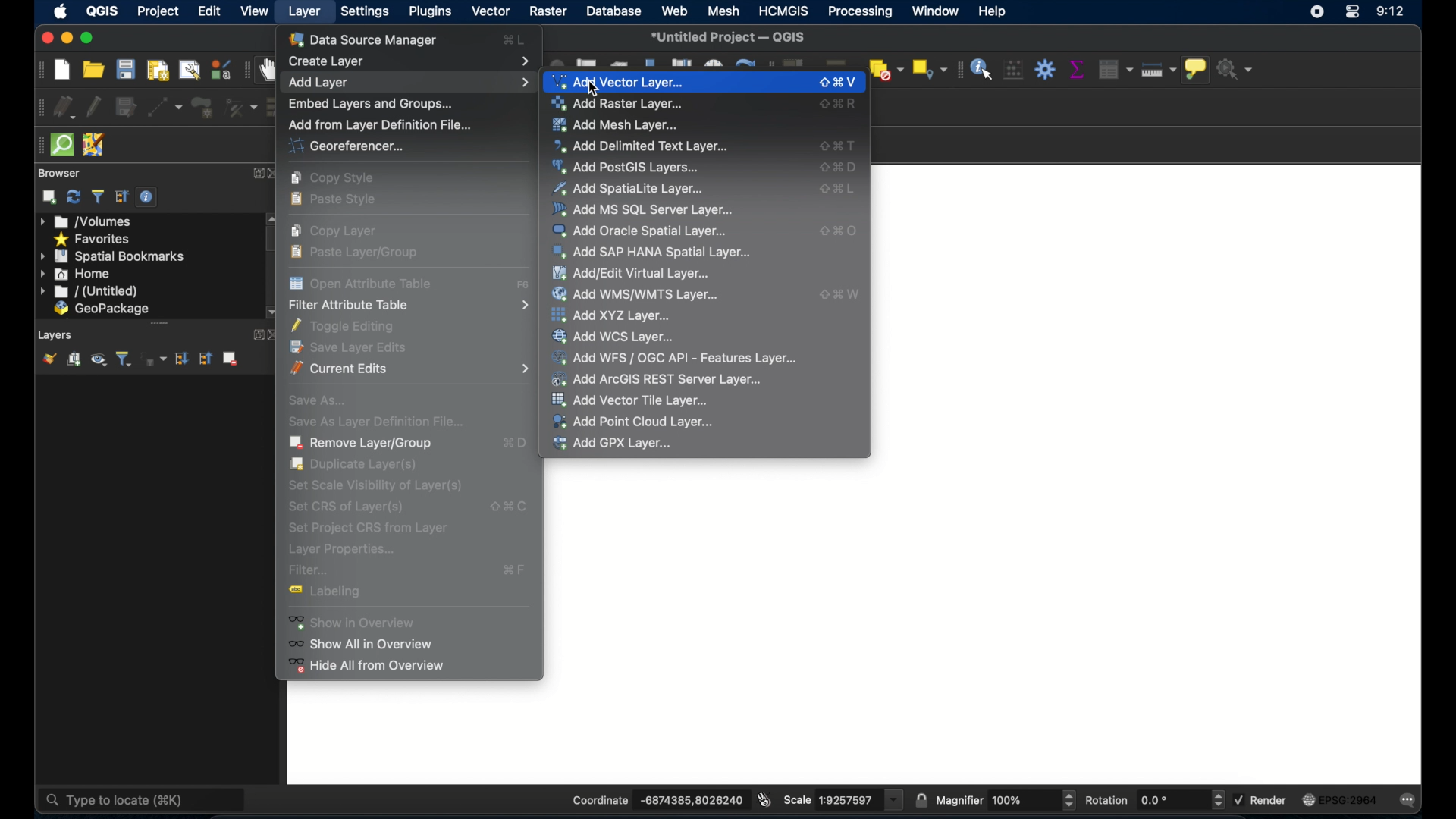  Describe the element at coordinates (1117, 69) in the screenshot. I see `open attribute table` at that location.